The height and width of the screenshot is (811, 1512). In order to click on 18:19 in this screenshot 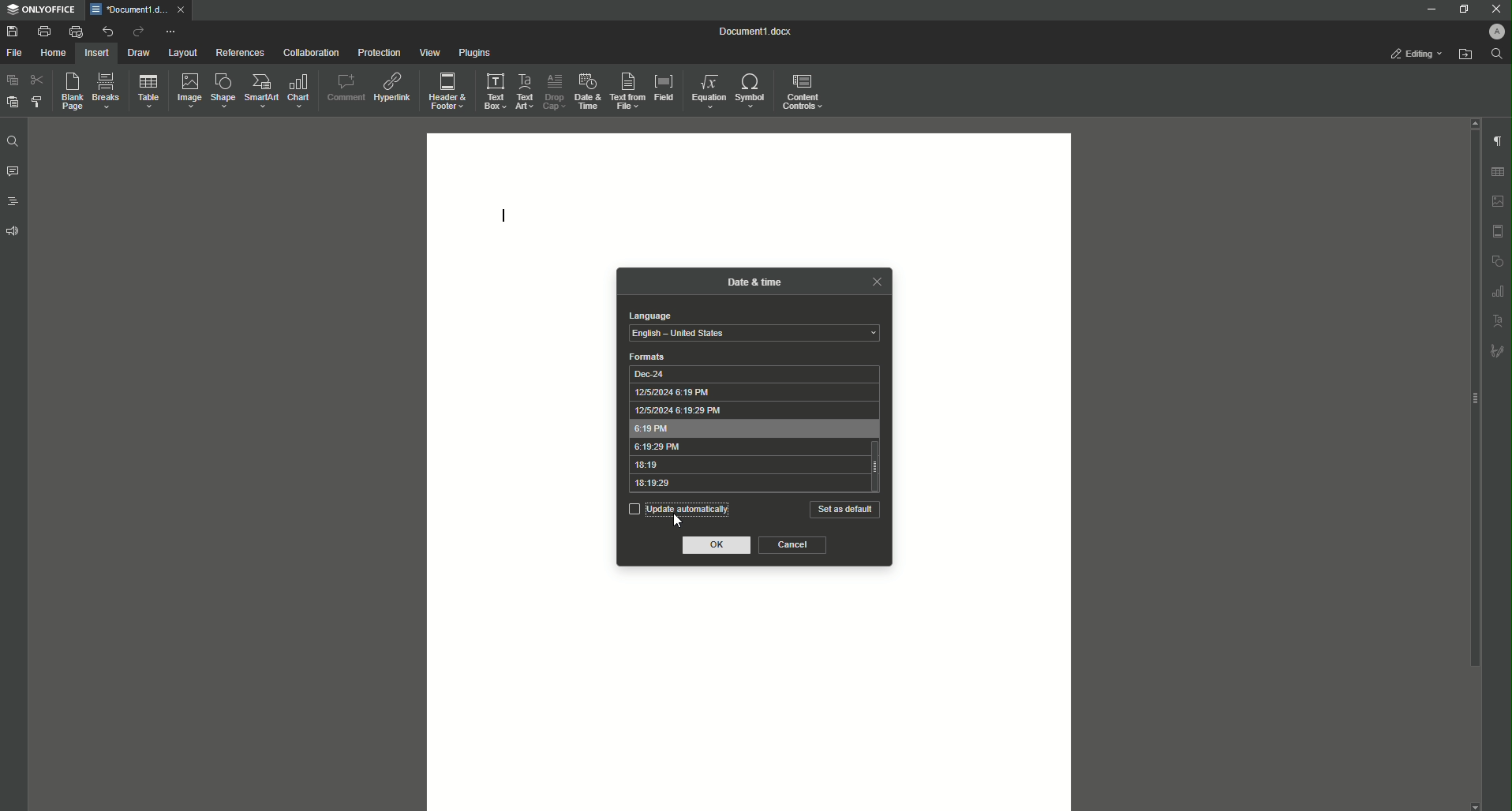, I will do `click(745, 465)`.